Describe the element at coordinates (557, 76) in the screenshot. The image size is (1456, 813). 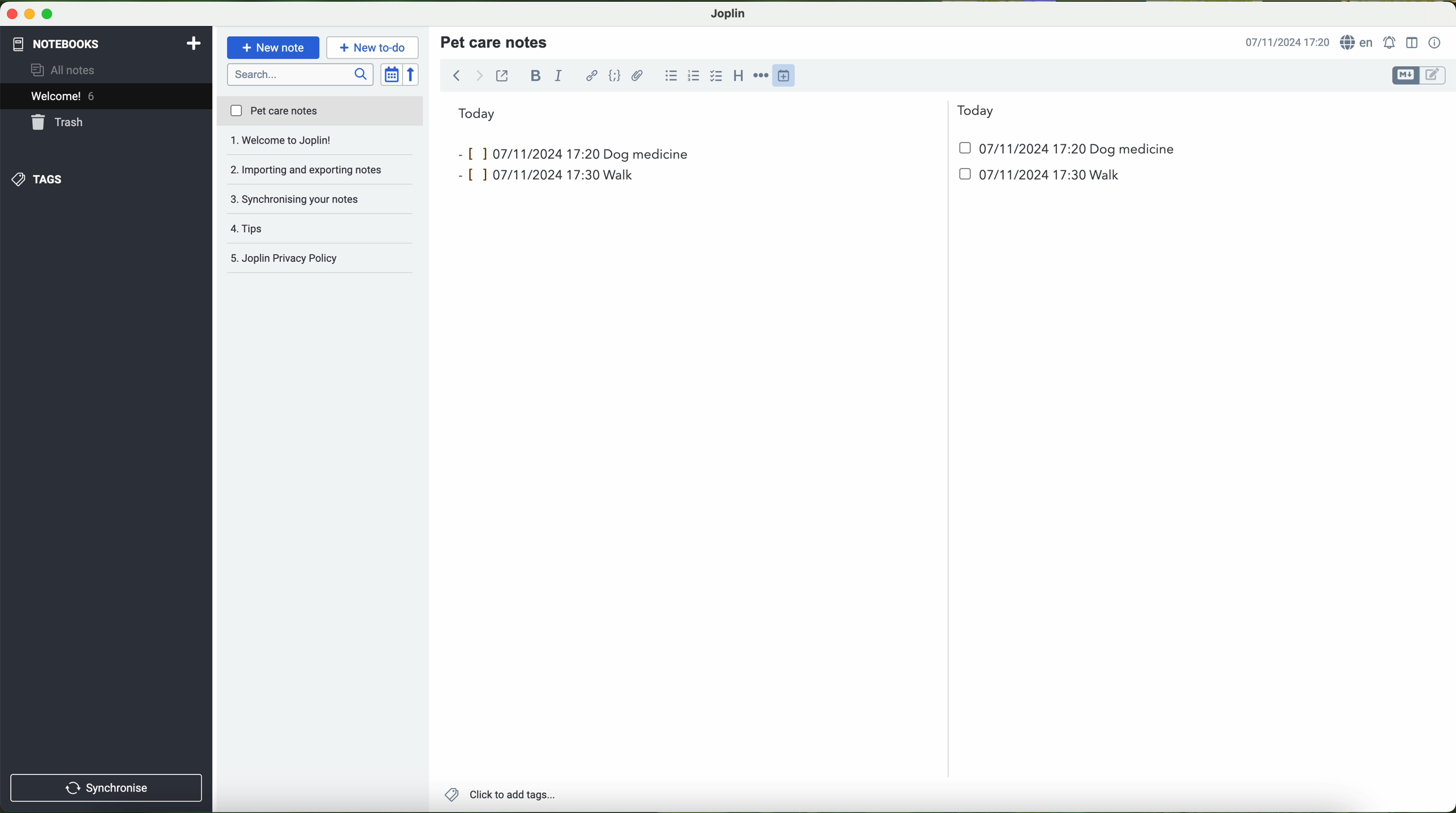
I see `italic` at that location.